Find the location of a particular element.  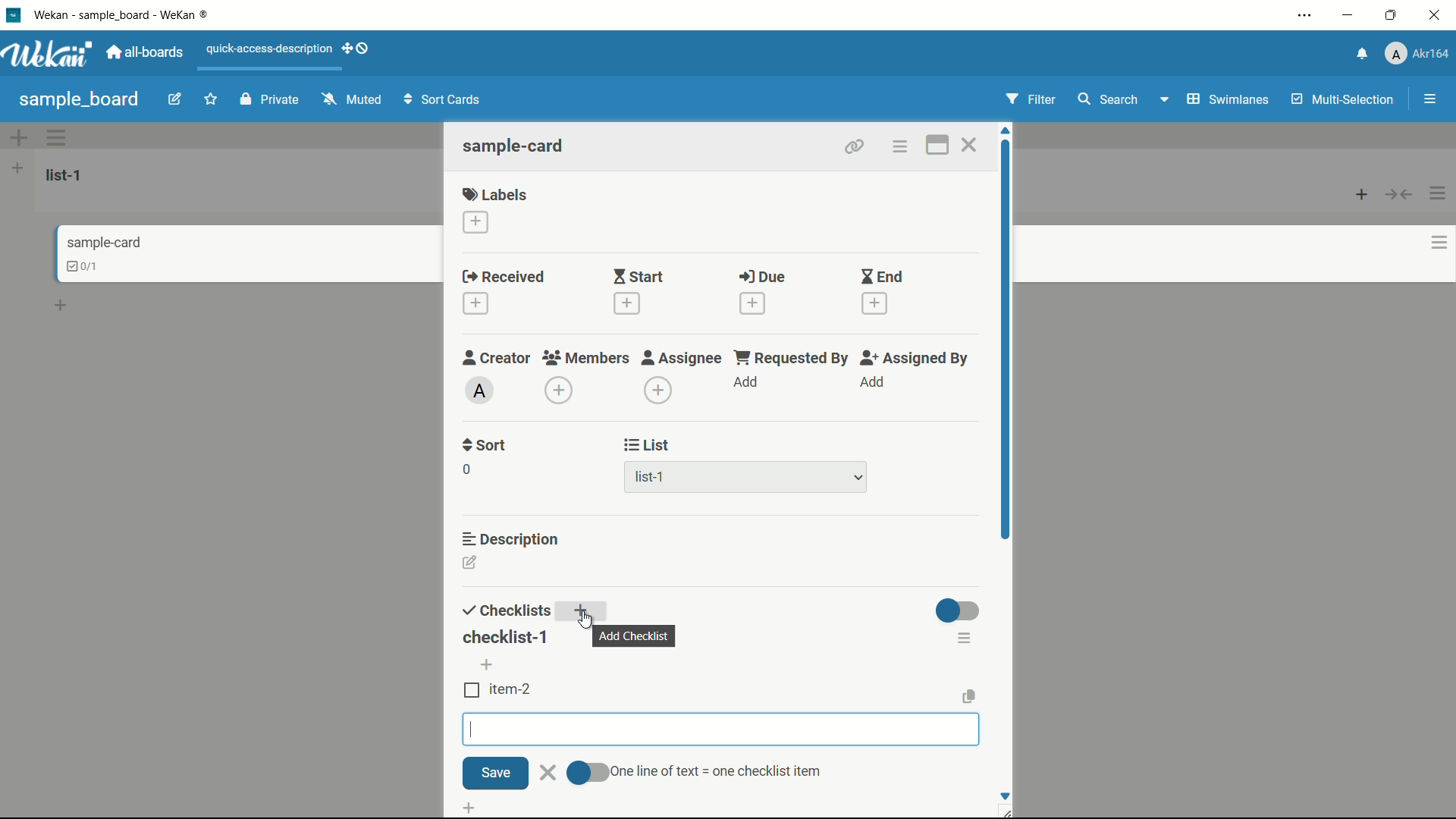

card actions is located at coordinates (1439, 243).